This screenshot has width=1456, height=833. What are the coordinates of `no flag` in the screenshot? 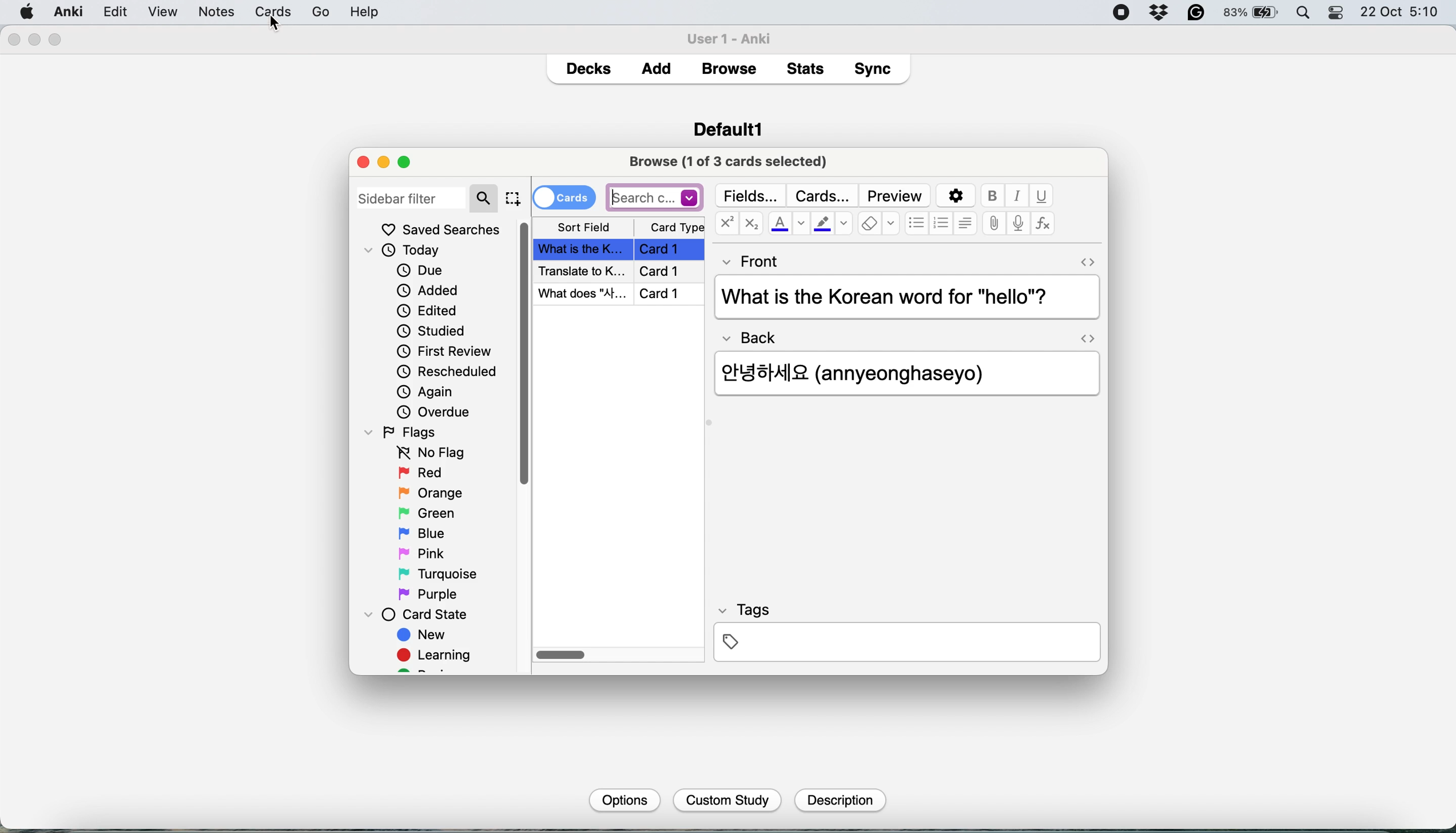 It's located at (428, 453).